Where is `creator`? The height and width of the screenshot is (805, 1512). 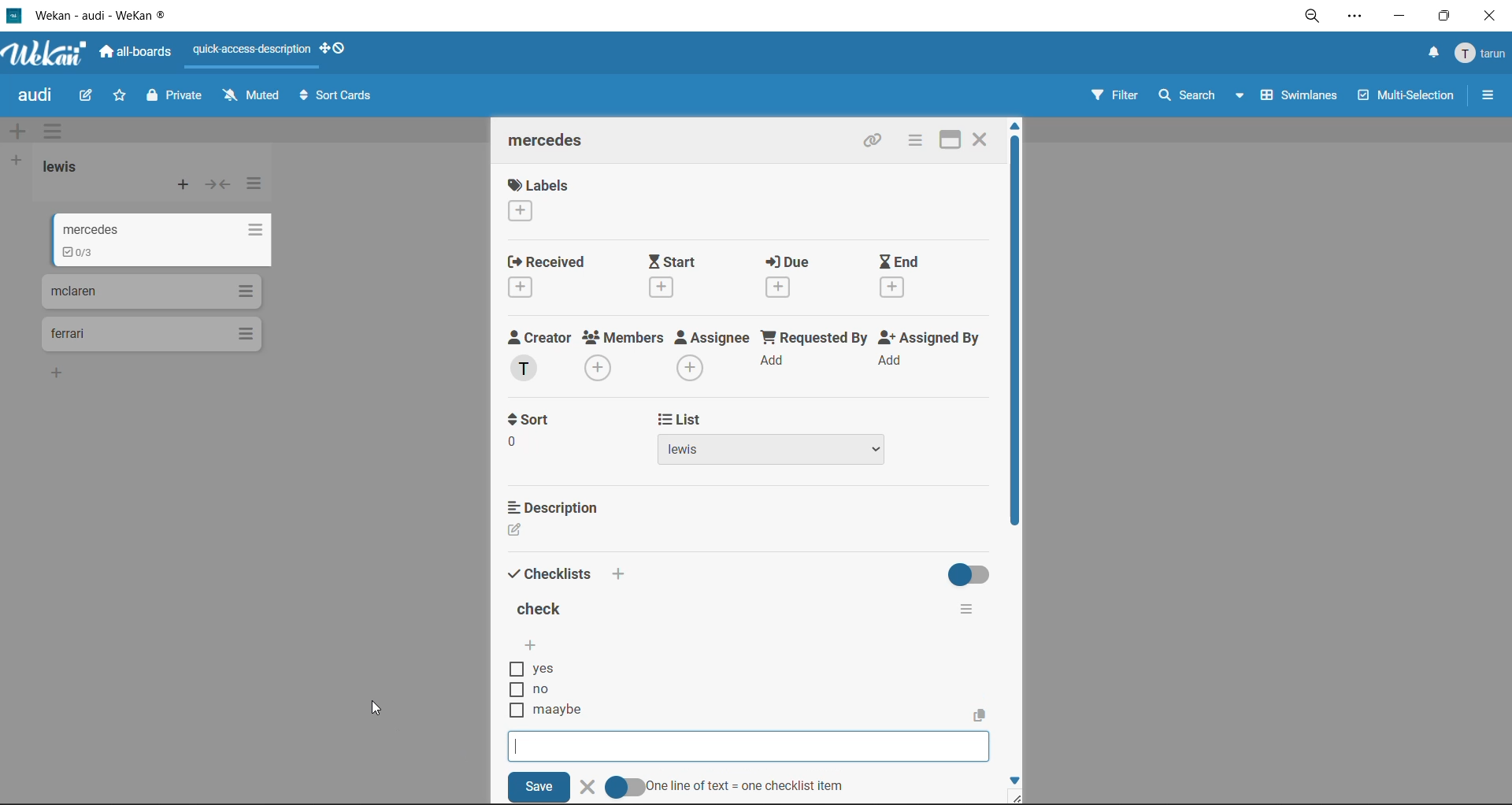 creator is located at coordinates (539, 354).